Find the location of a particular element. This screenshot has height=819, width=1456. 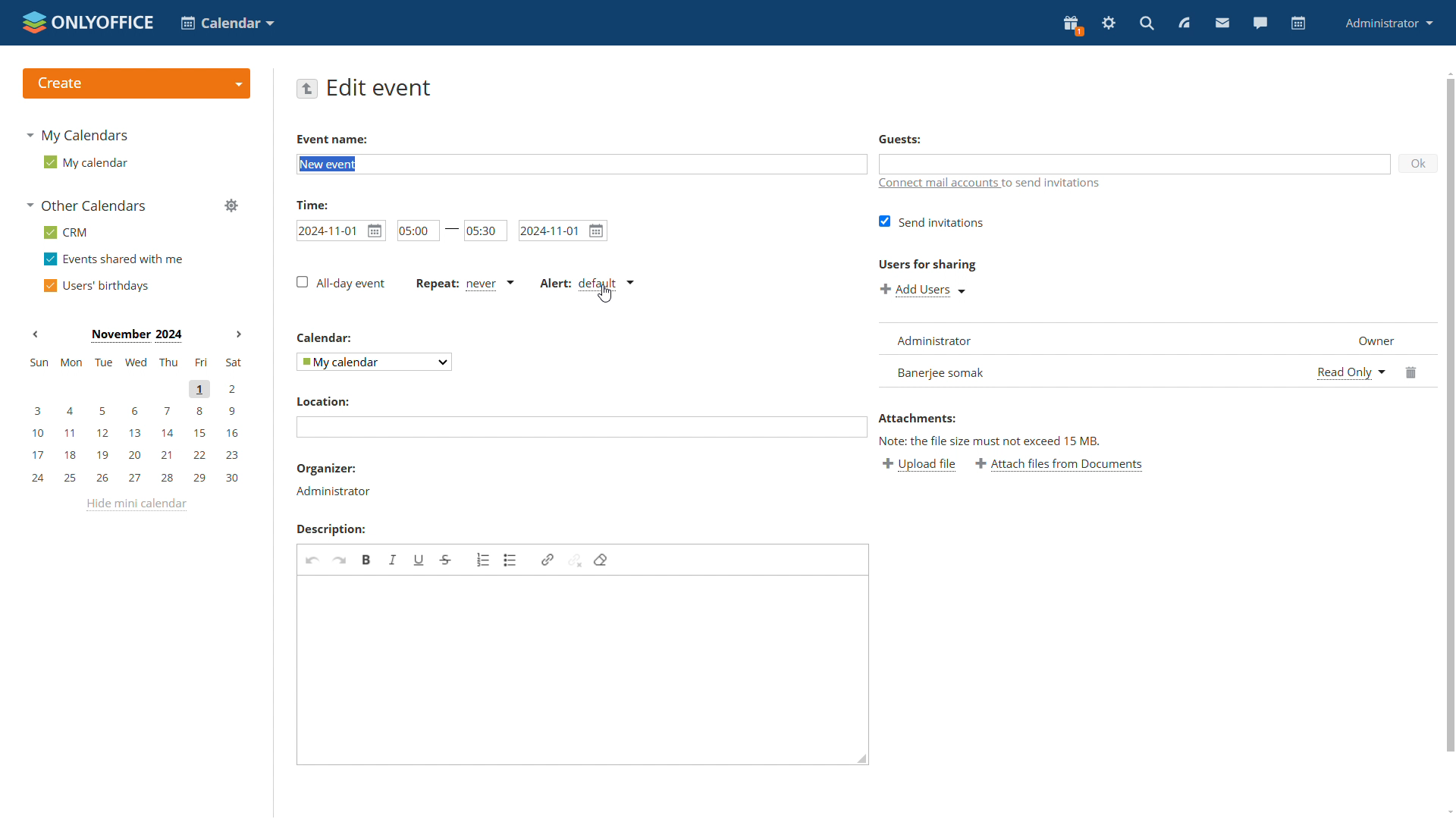

Event Name is located at coordinates (331, 140).